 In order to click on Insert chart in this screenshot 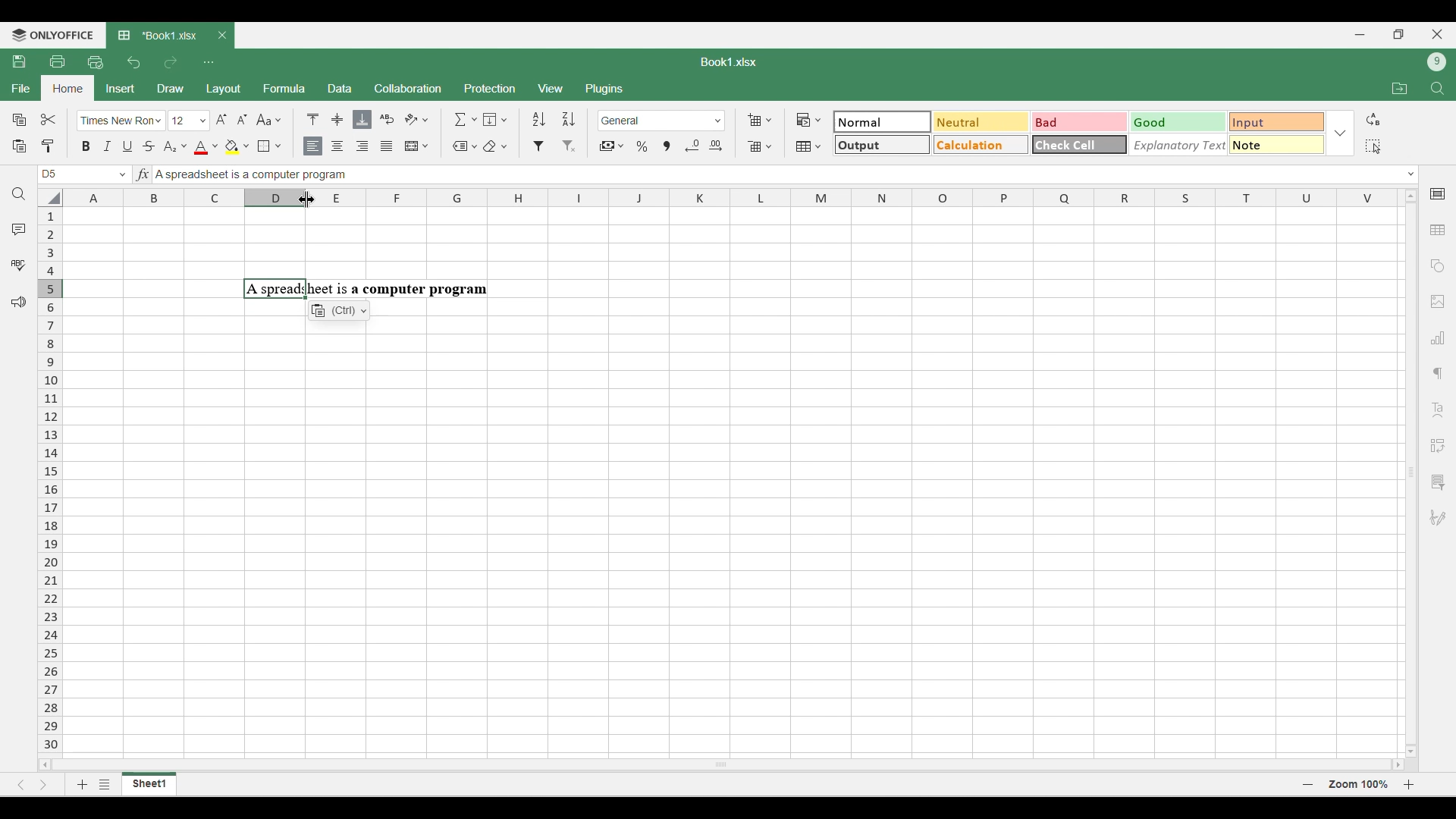, I will do `click(1439, 337)`.